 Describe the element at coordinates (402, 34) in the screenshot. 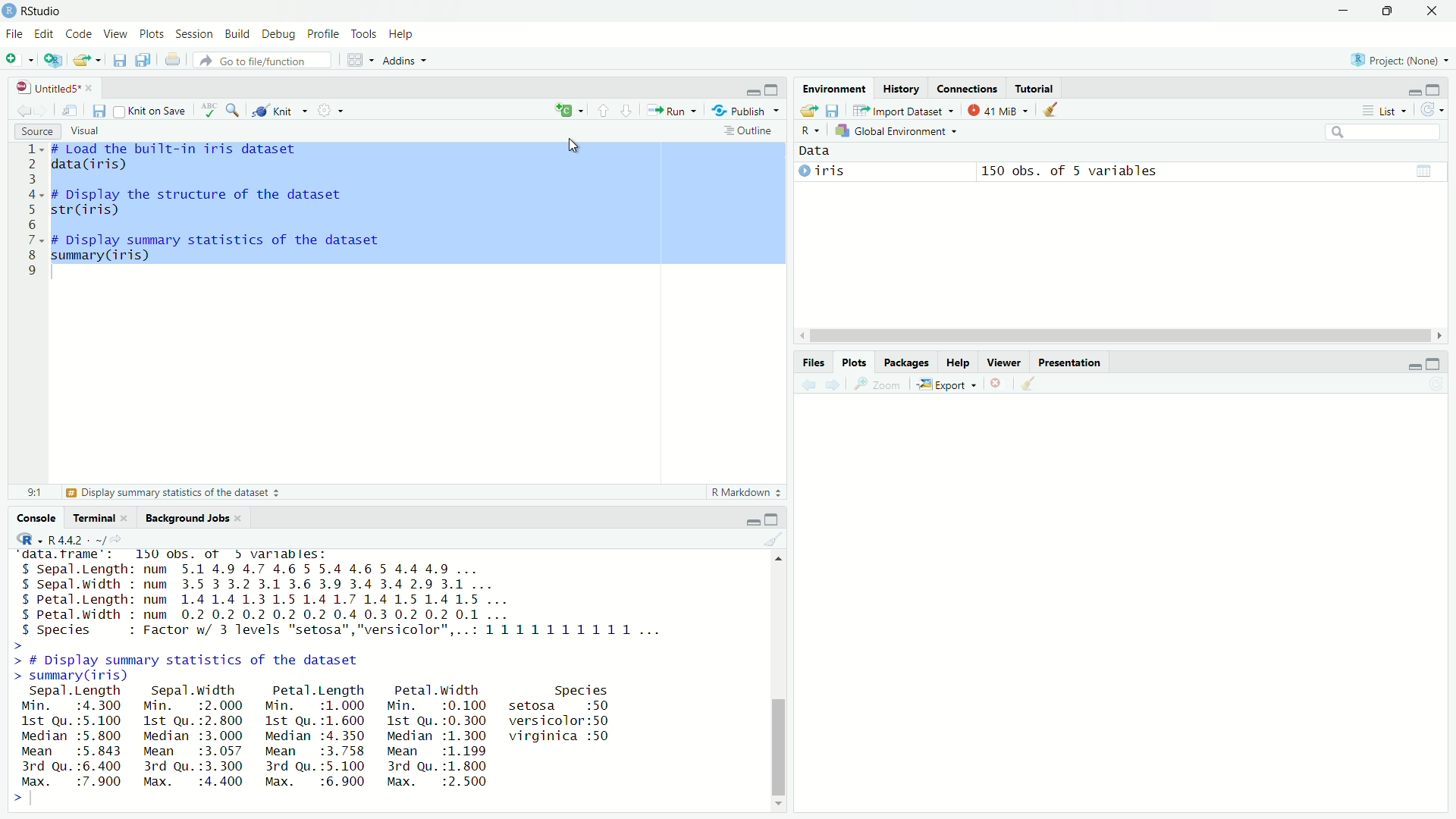

I see `Help` at that location.